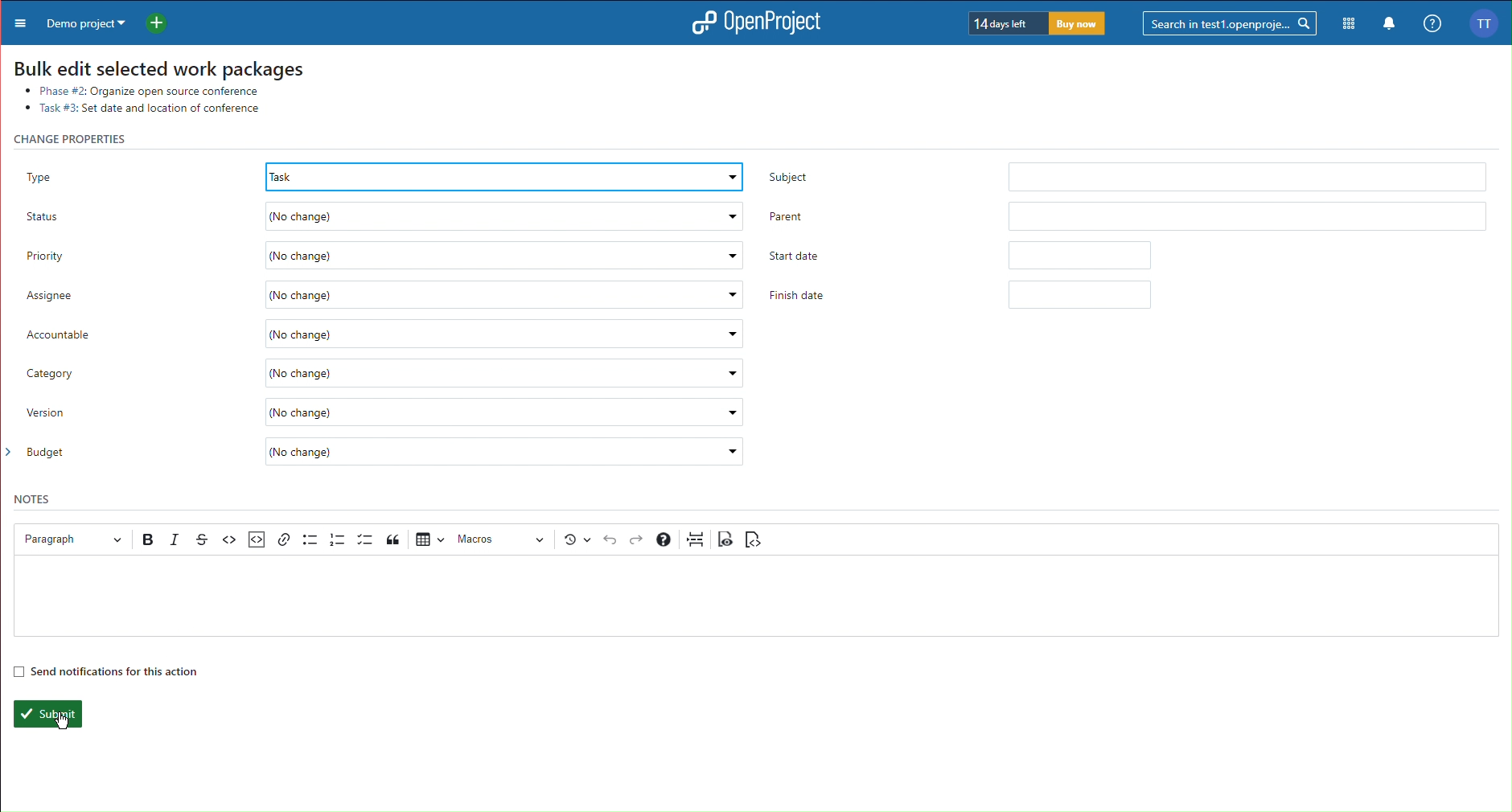 This screenshot has height=812, width=1512. What do you see at coordinates (751, 24) in the screenshot?
I see `OpenProject` at bounding box center [751, 24].